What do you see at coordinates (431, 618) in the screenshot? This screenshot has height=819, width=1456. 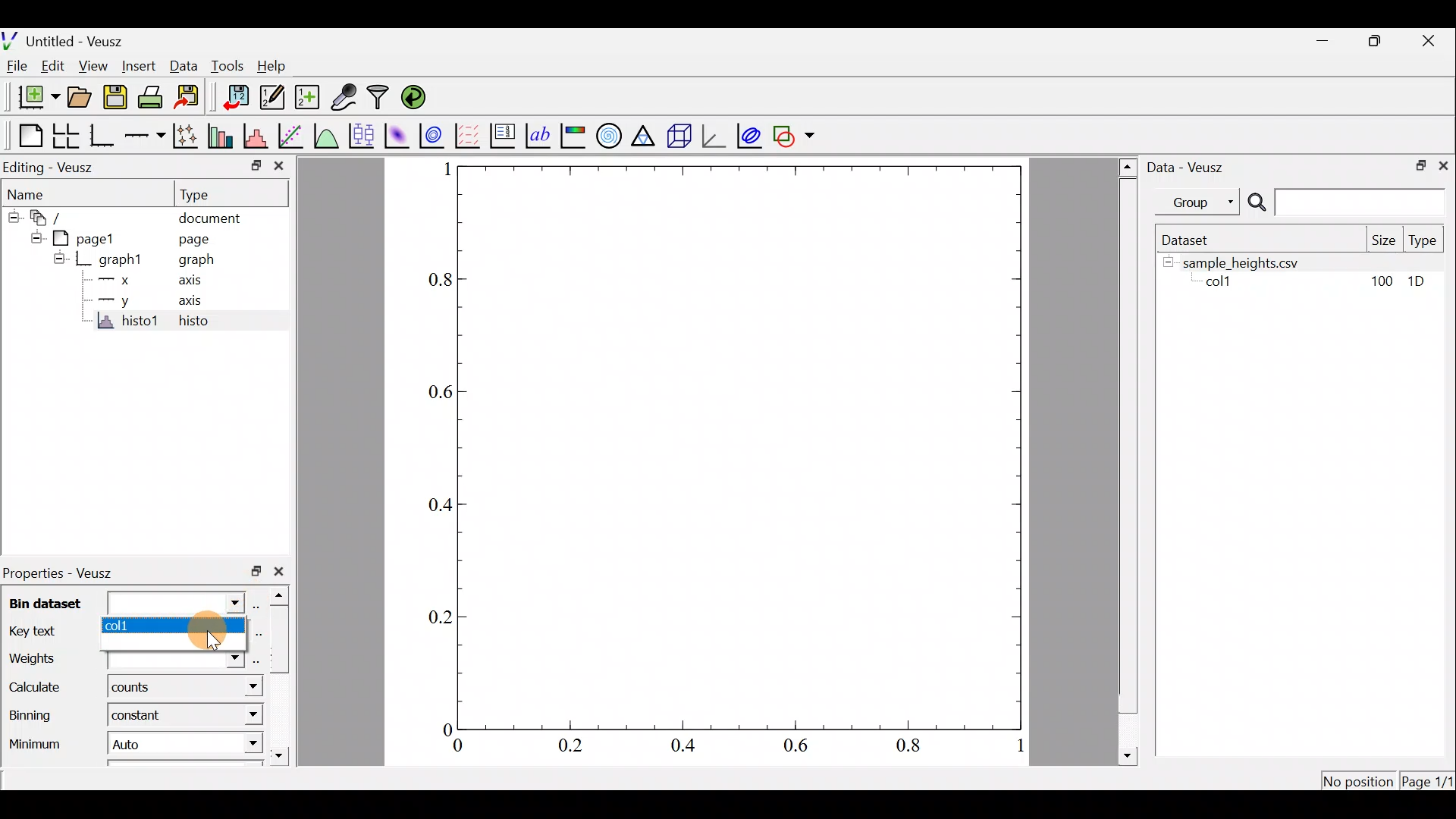 I see `0.2` at bounding box center [431, 618].